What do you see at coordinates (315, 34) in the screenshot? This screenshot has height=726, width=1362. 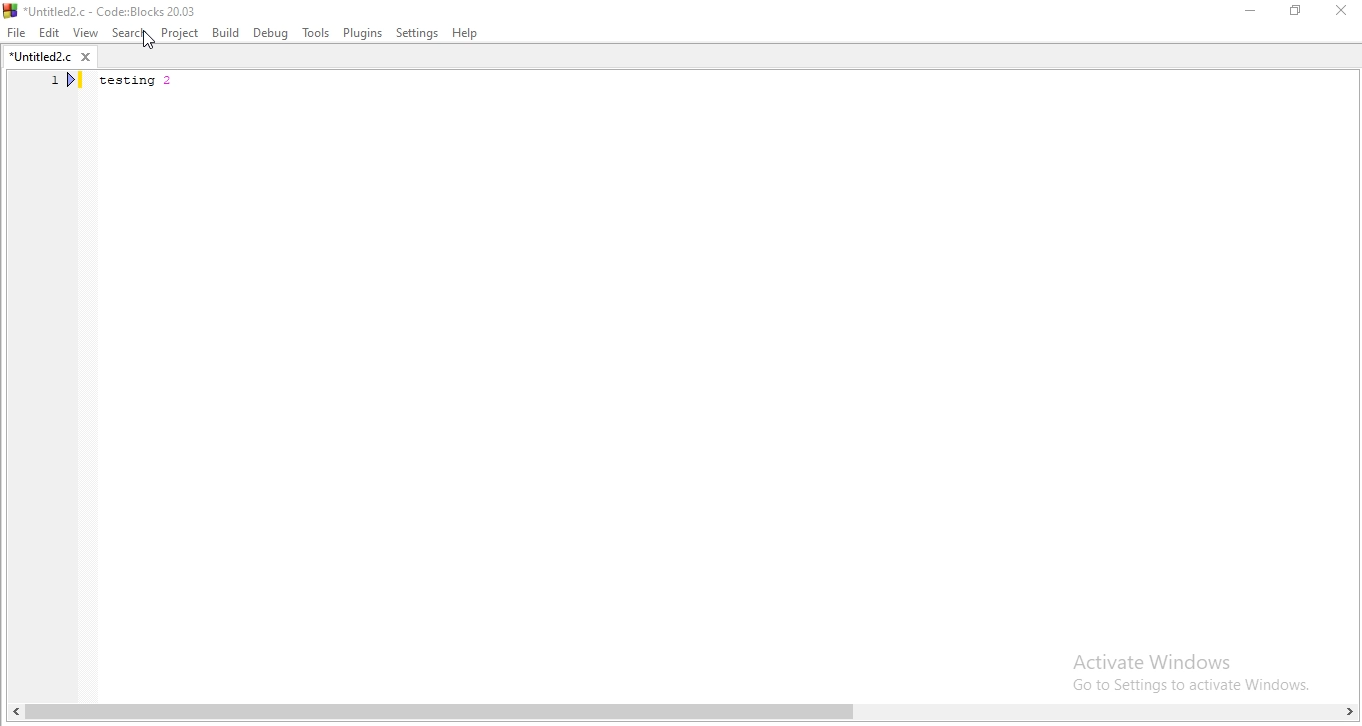 I see `Tools ` at bounding box center [315, 34].